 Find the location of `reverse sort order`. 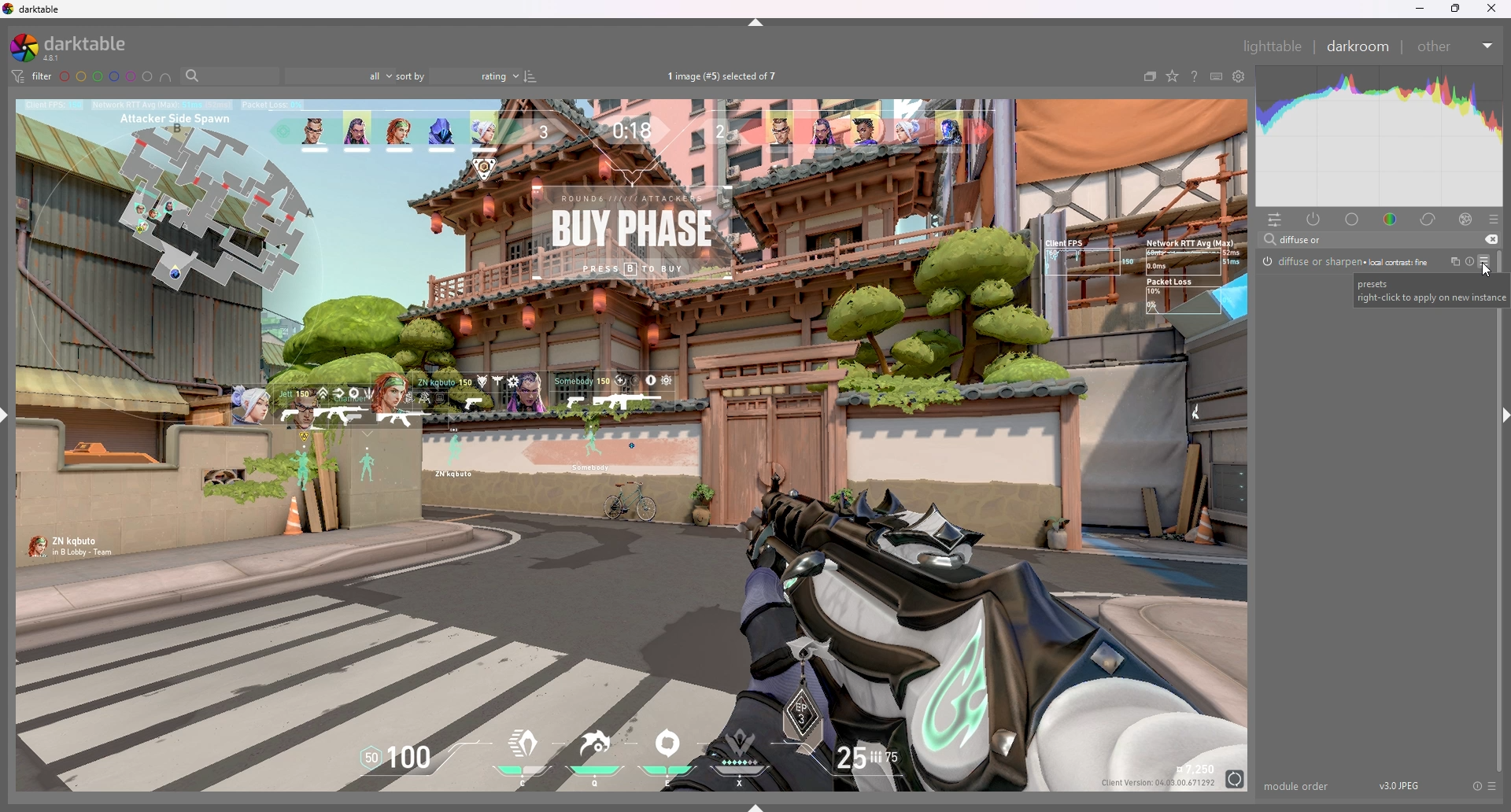

reverse sort order is located at coordinates (530, 76).